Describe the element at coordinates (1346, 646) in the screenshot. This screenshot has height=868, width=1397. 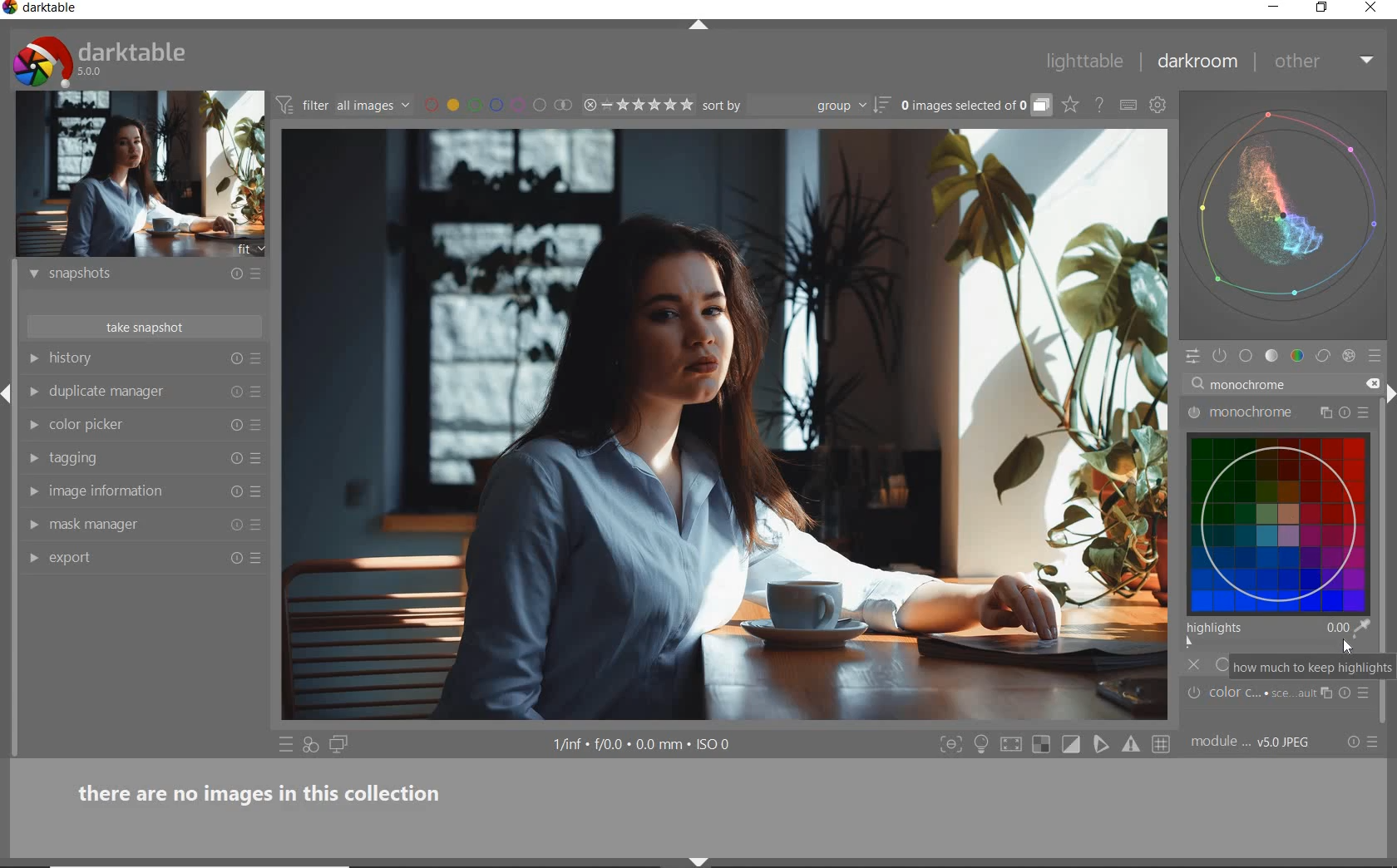
I see `Cursor` at that location.